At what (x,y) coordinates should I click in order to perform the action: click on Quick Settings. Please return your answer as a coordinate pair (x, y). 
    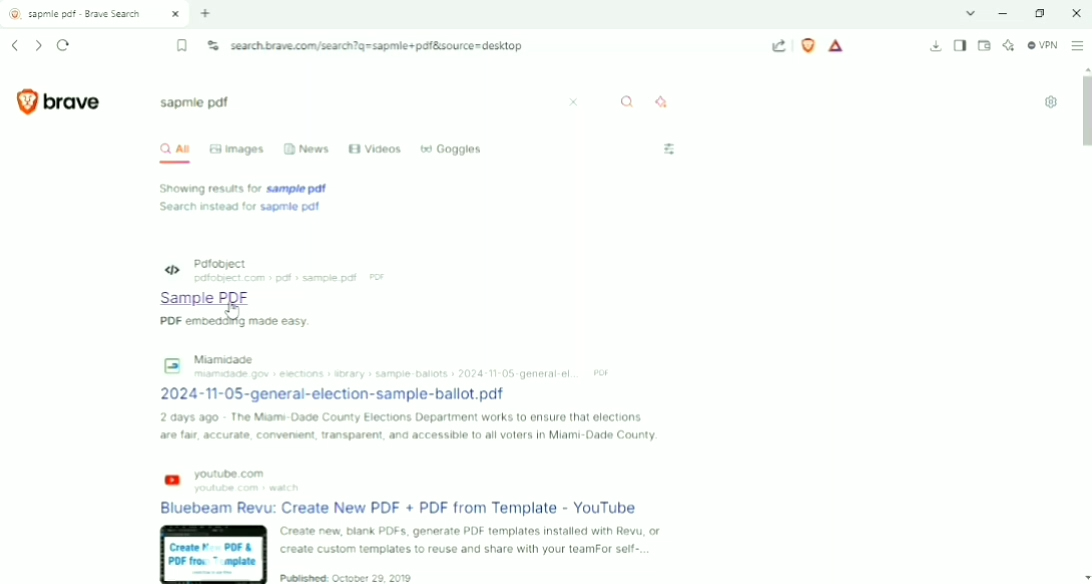
    Looking at the image, I should click on (1051, 102).